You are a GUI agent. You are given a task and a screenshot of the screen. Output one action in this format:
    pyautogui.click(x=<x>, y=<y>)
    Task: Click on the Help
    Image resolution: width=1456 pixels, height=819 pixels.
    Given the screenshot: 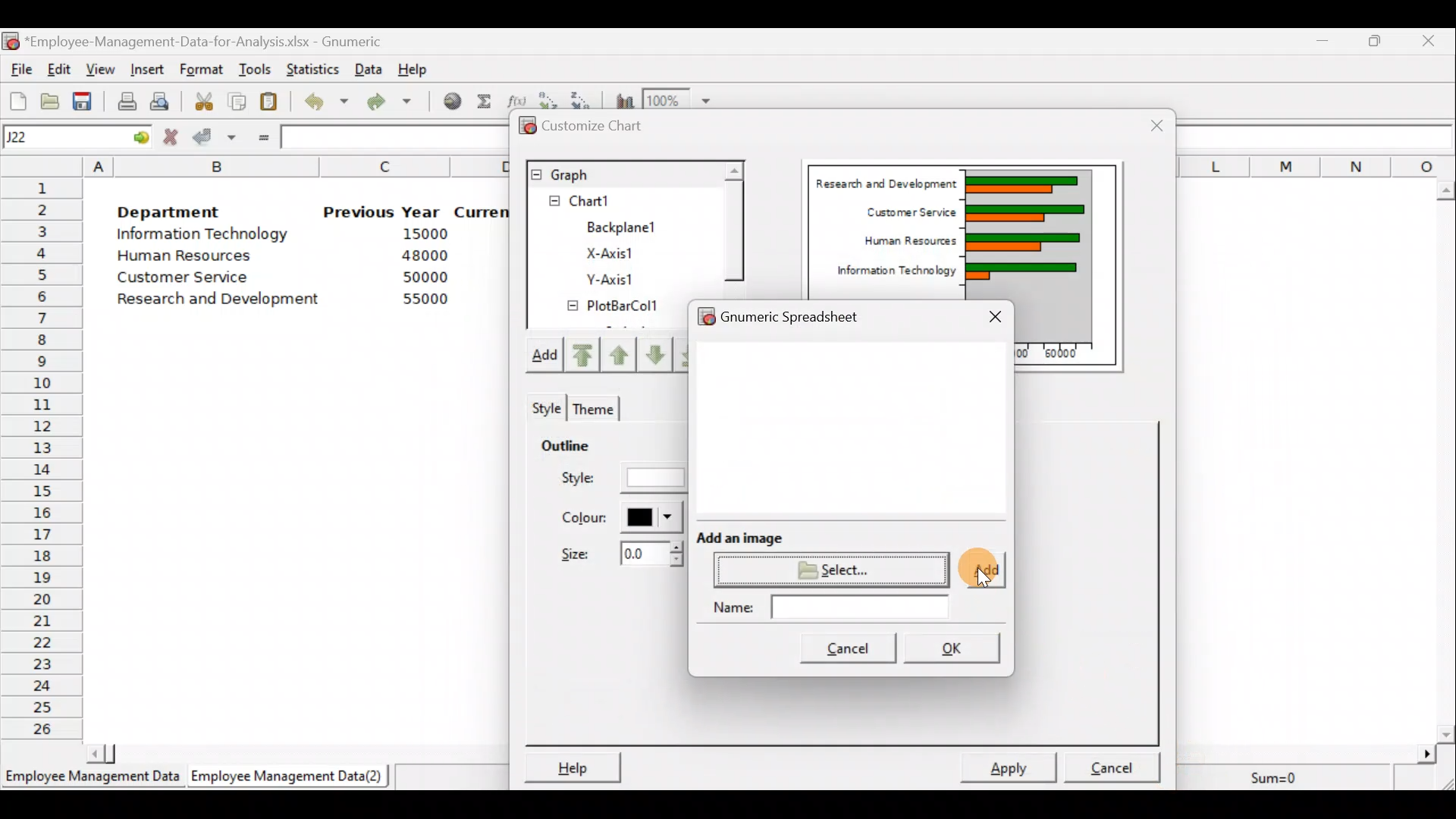 What is the action you would take?
    pyautogui.click(x=573, y=764)
    